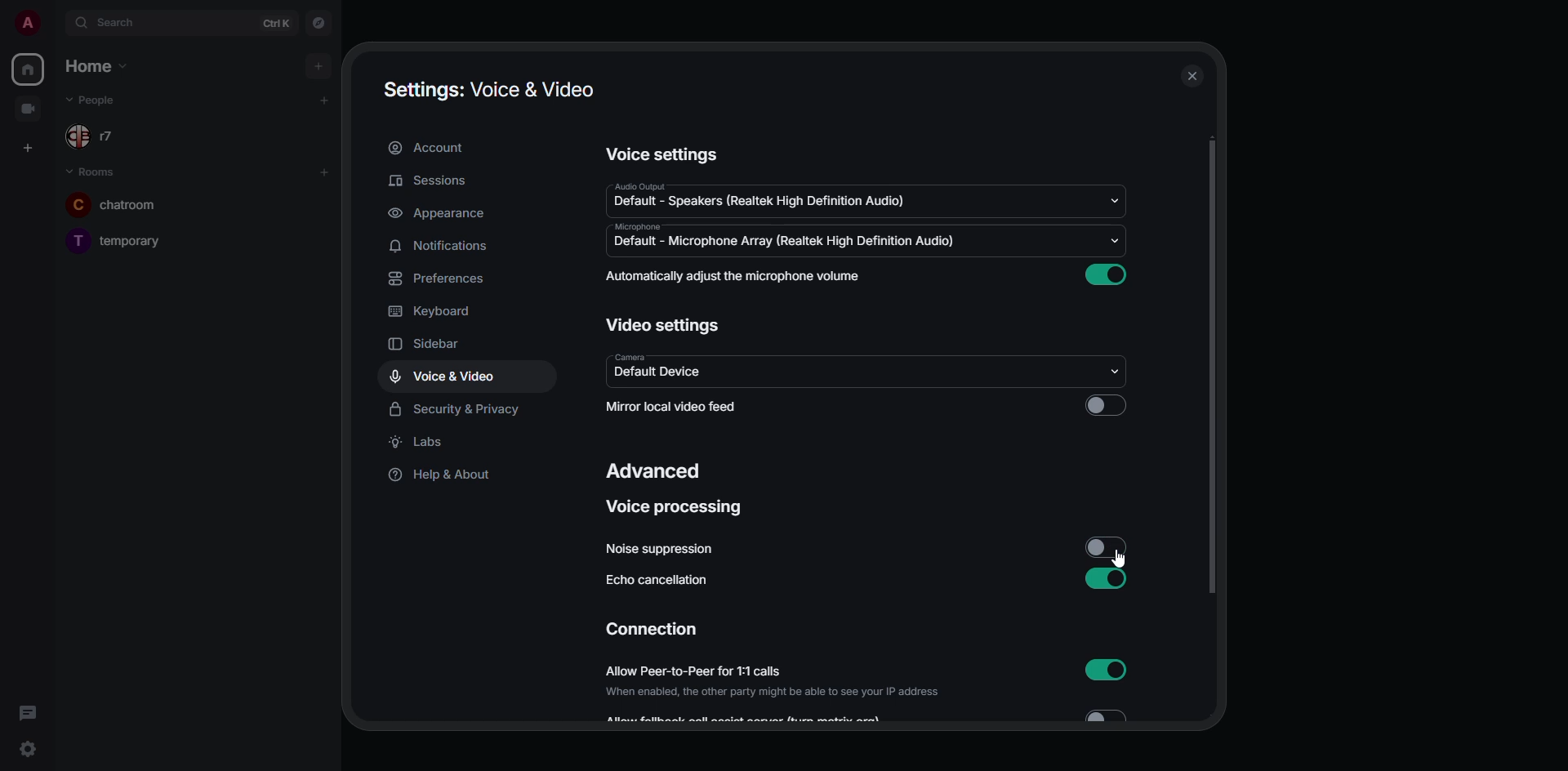 The width and height of the screenshot is (1568, 771). What do you see at coordinates (437, 345) in the screenshot?
I see `sidebar` at bounding box center [437, 345].